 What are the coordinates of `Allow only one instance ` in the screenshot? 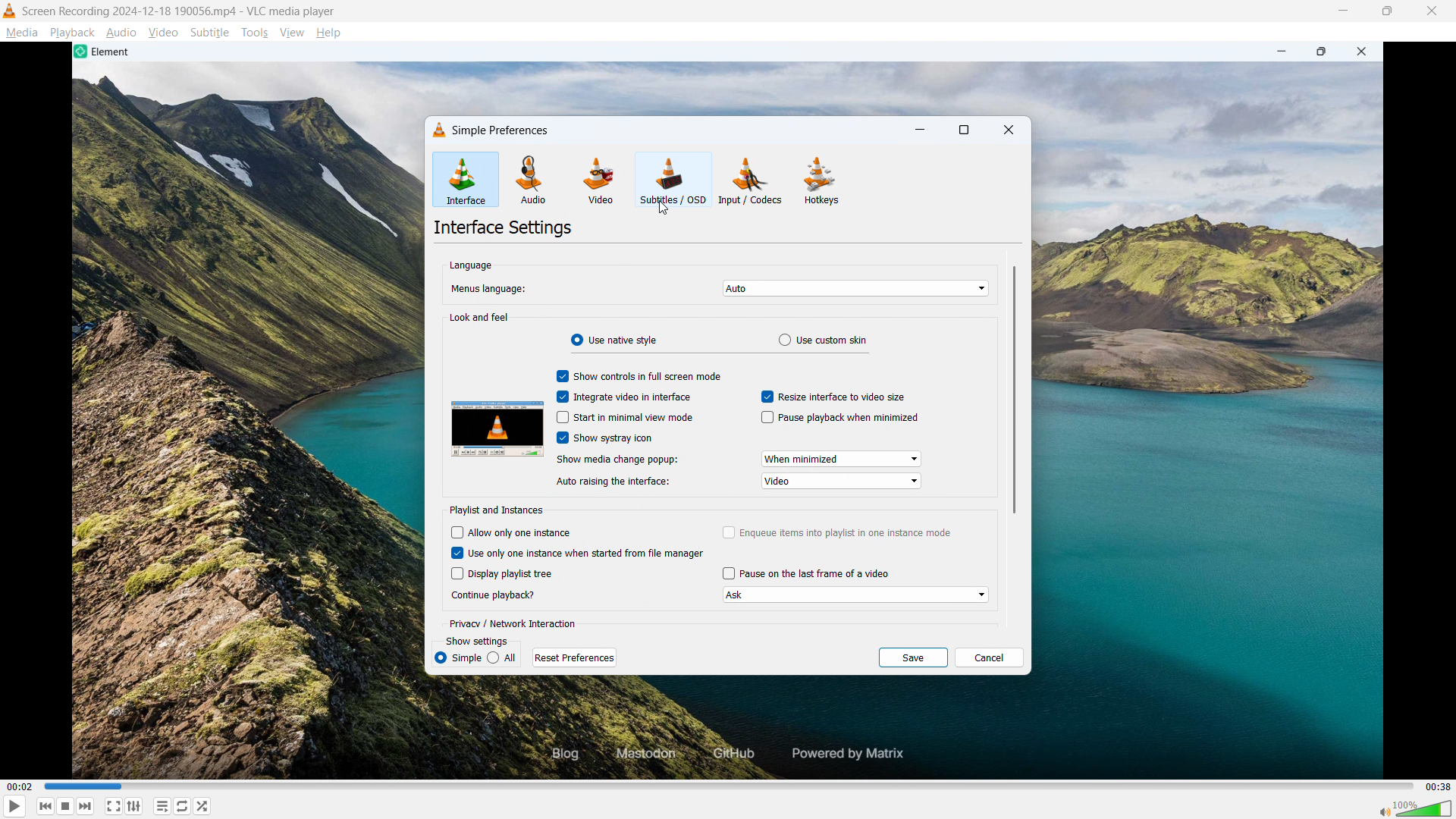 It's located at (522, 532).